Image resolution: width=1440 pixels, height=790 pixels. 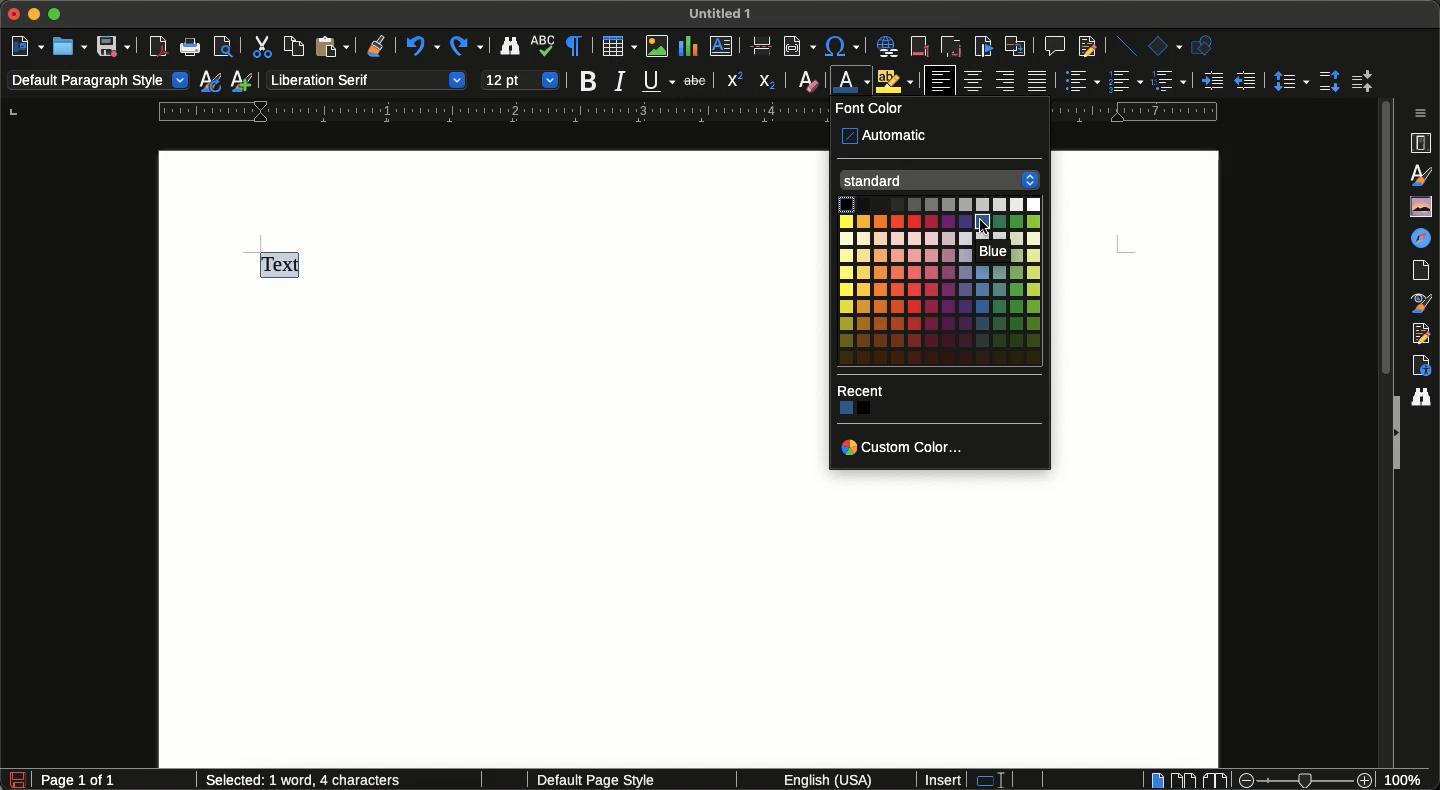 What do you see at coordinates (887, 48) in the screenshot?
I see `Insert hyperlink` at bounding box center [887, 48].